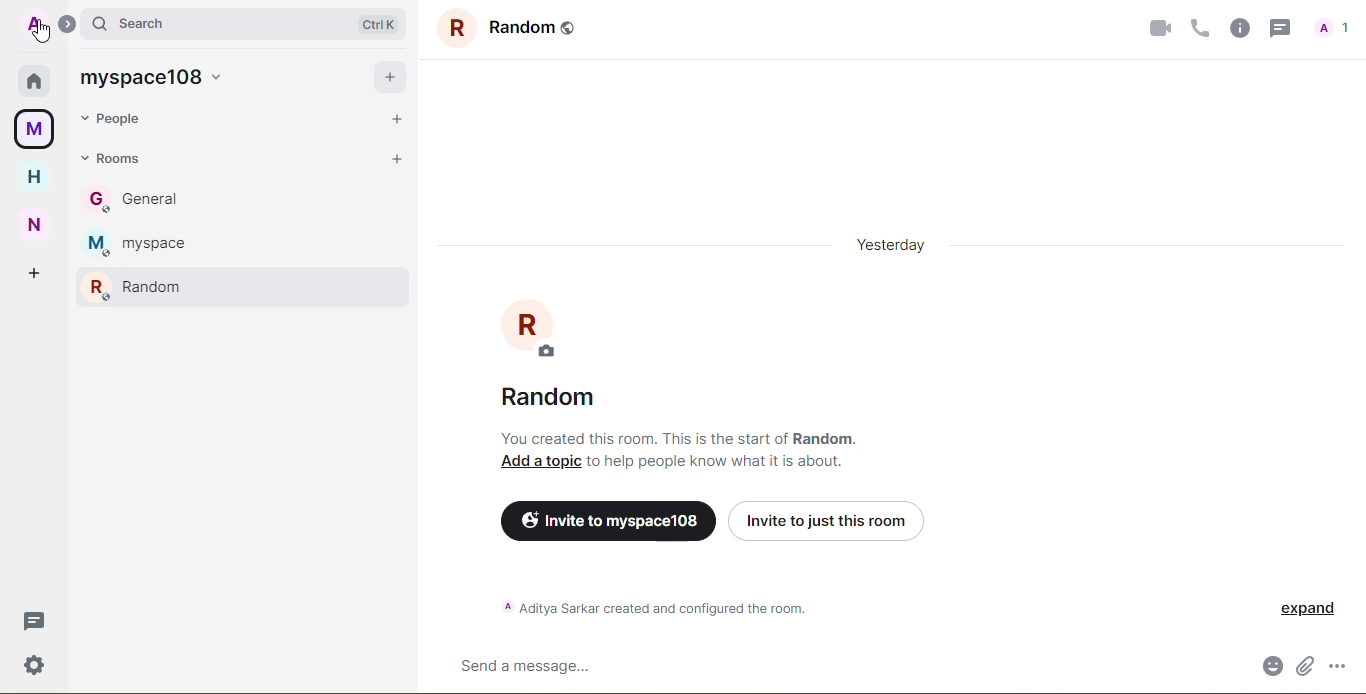  What do you see at coordinates (891, 244) in the screenshot?
I see `day` at bounding box center [891, 244].